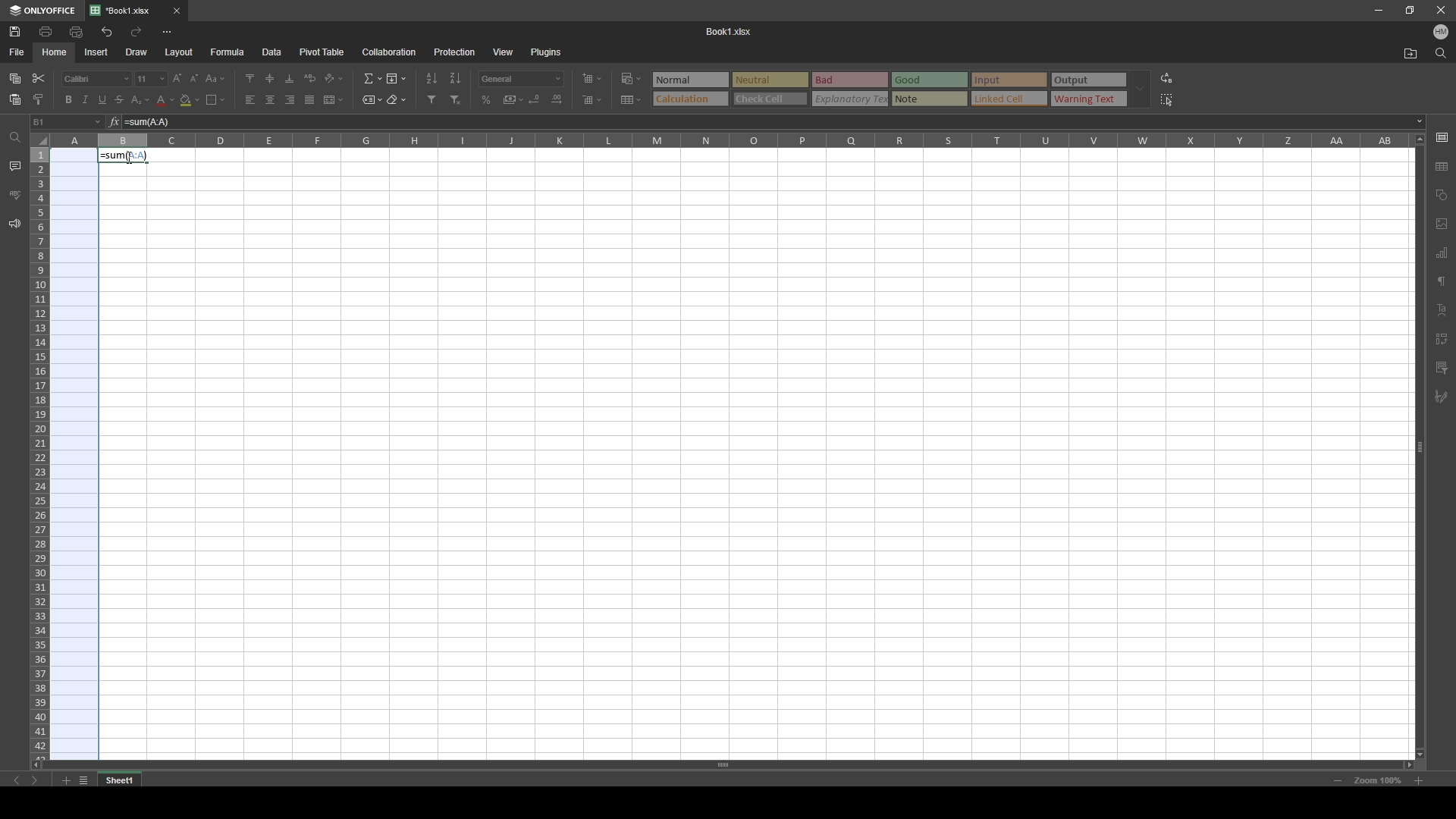 The image size is (1456, 819). I want to click on conditional formatting, so click(634, 77).